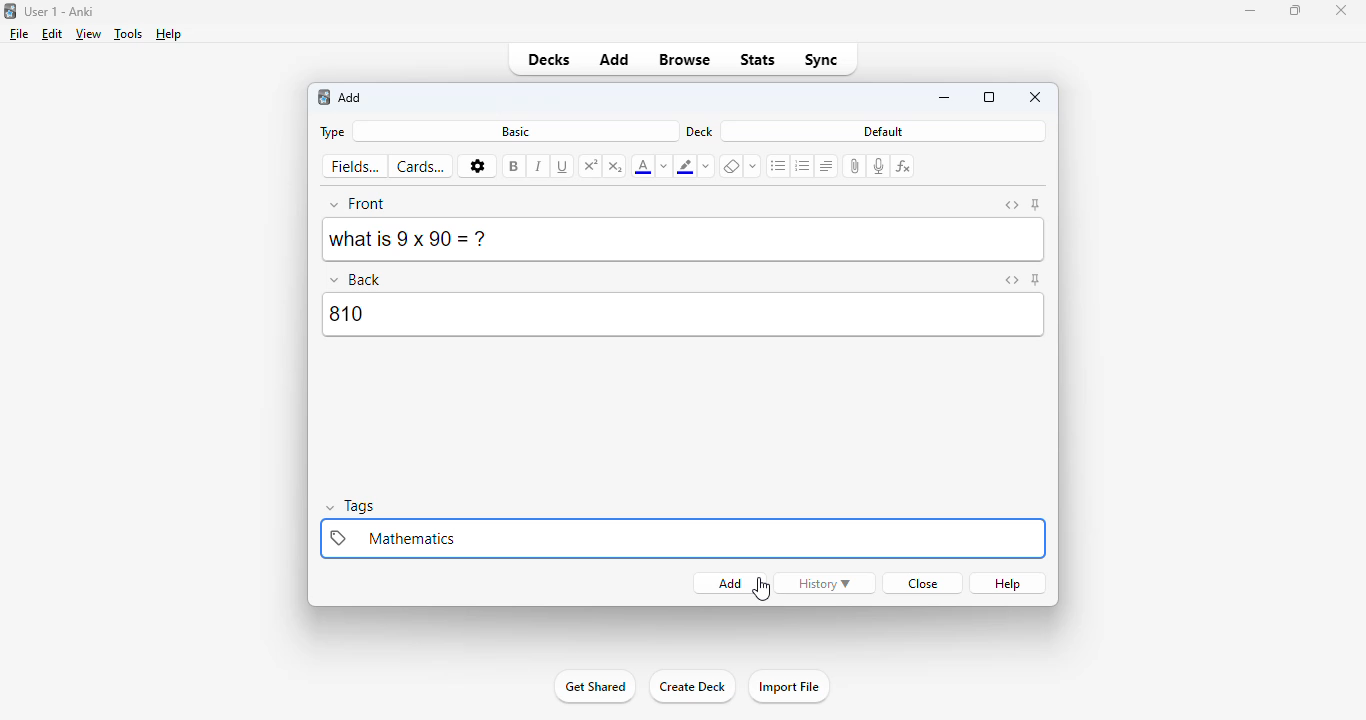 This screenshot has width=1366, height=720. What do you see at coordinates (686, 166) in the screenshot?
I see `text highlight color` at bounding box center [686, 166].